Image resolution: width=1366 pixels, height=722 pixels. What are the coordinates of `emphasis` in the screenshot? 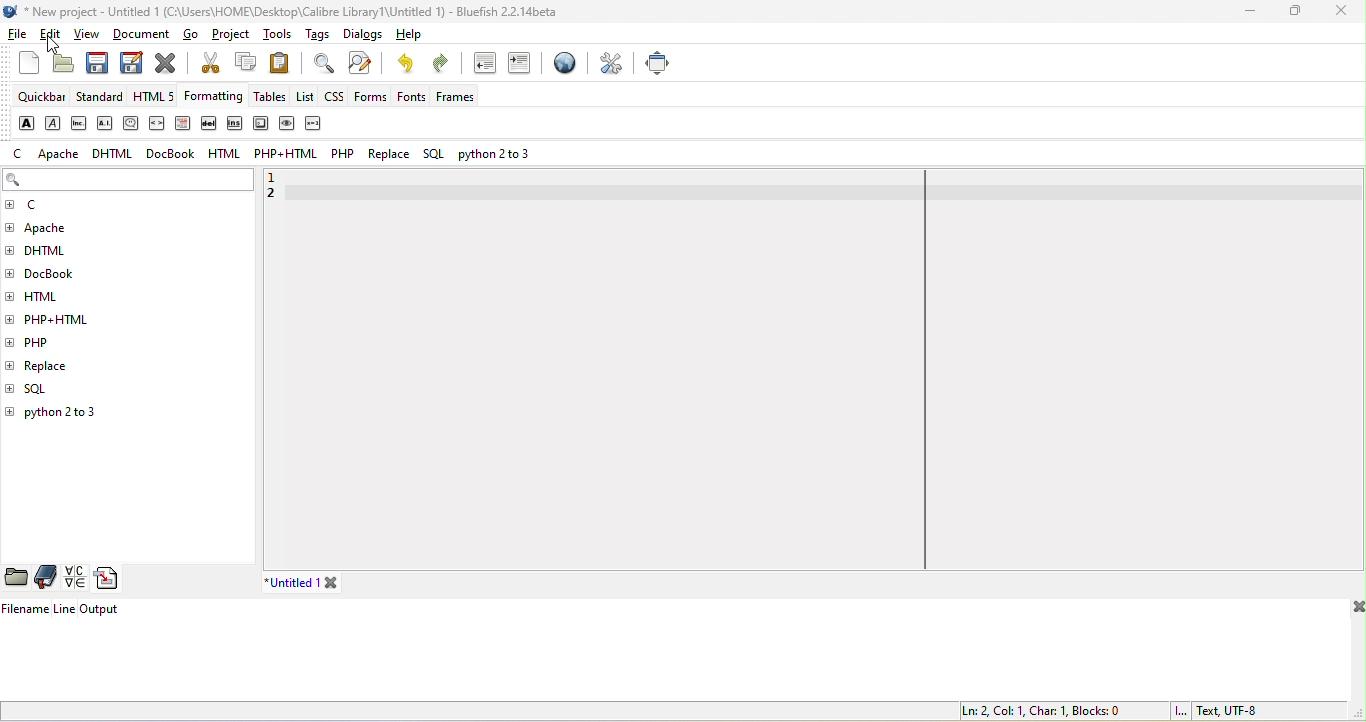 It's located at (53, 123).